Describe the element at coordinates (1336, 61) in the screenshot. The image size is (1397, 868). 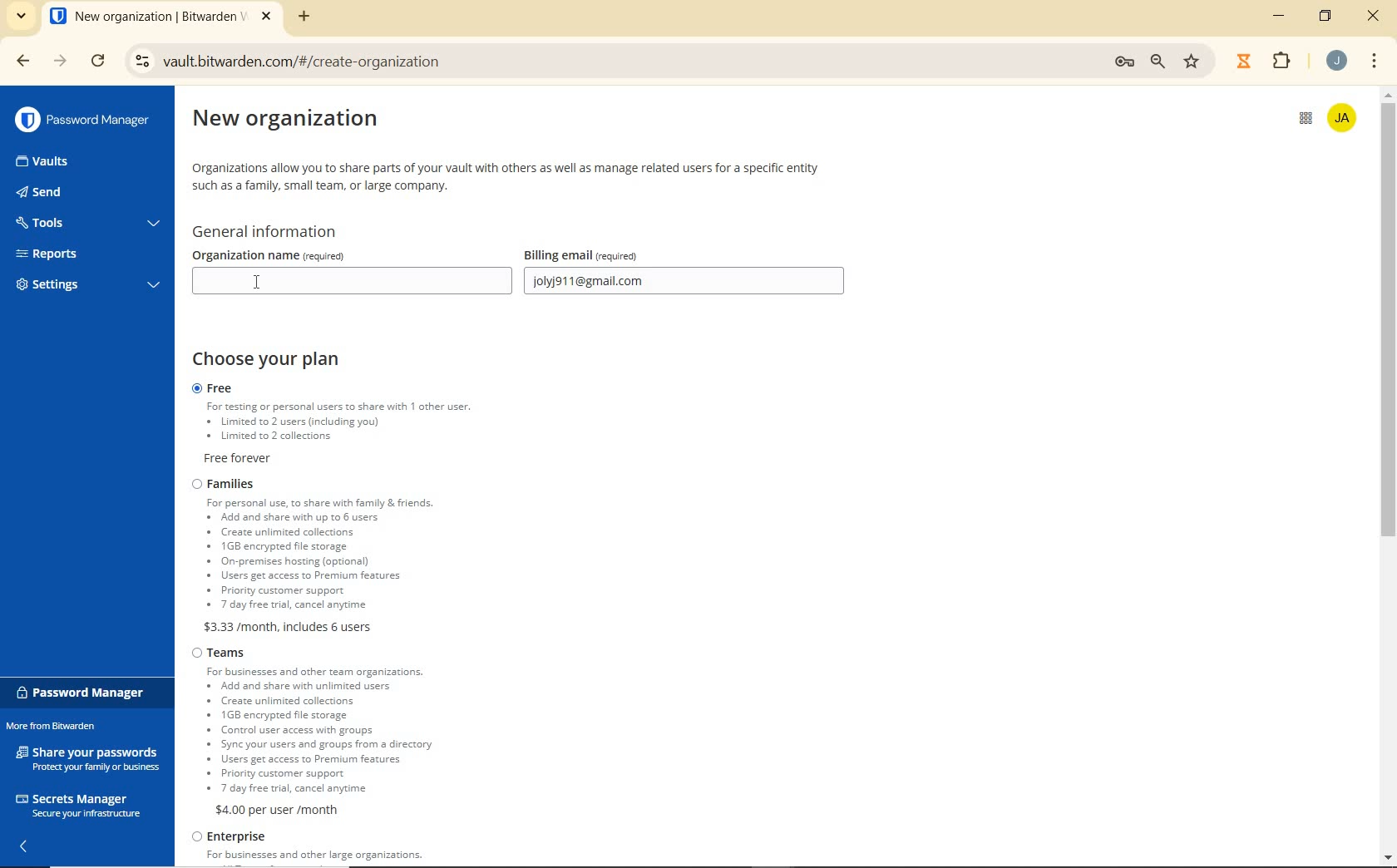
I see `account name` at that location.